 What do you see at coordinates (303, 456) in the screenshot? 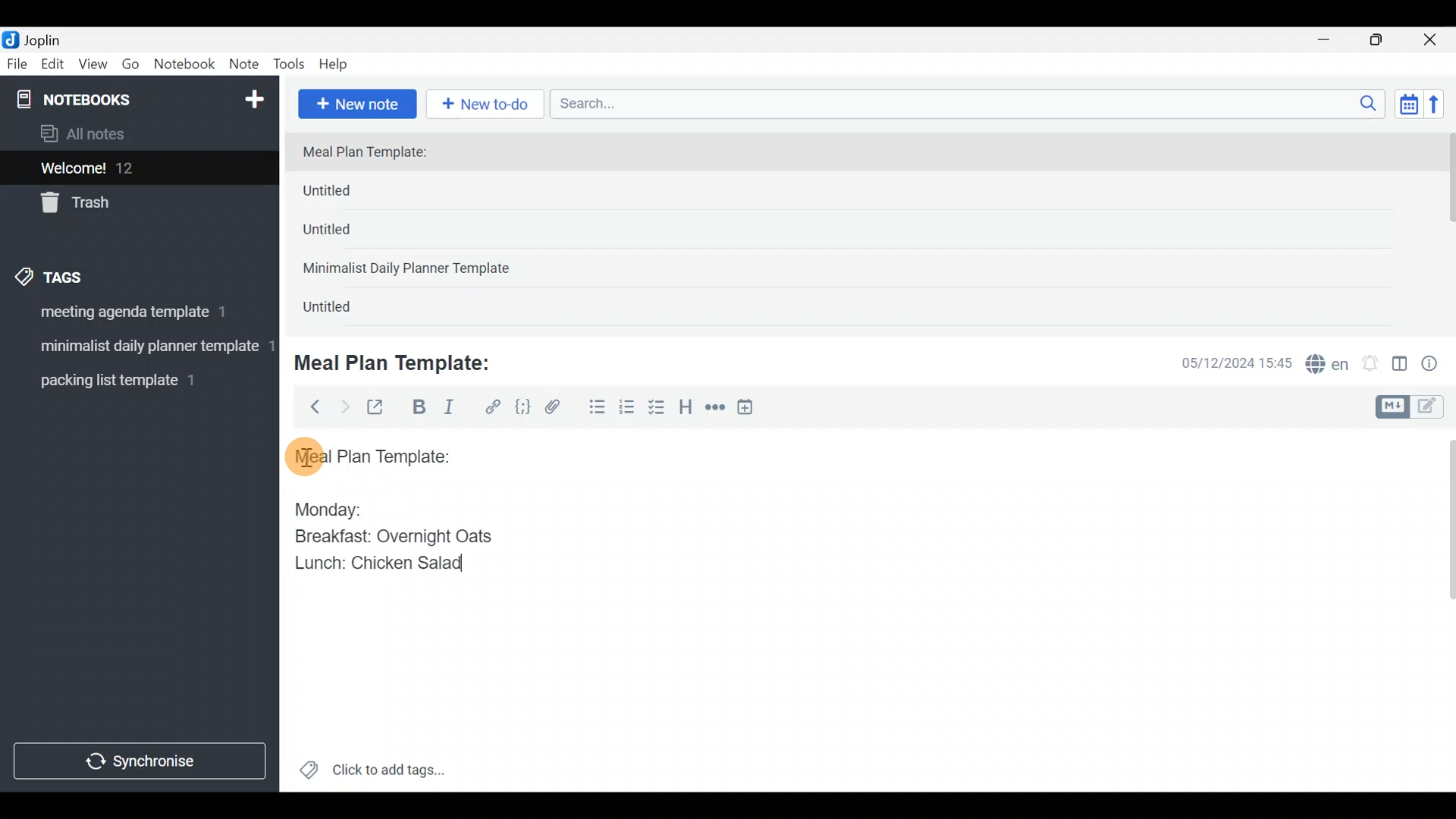
I see `cursor` at bounding box center [303, 456].